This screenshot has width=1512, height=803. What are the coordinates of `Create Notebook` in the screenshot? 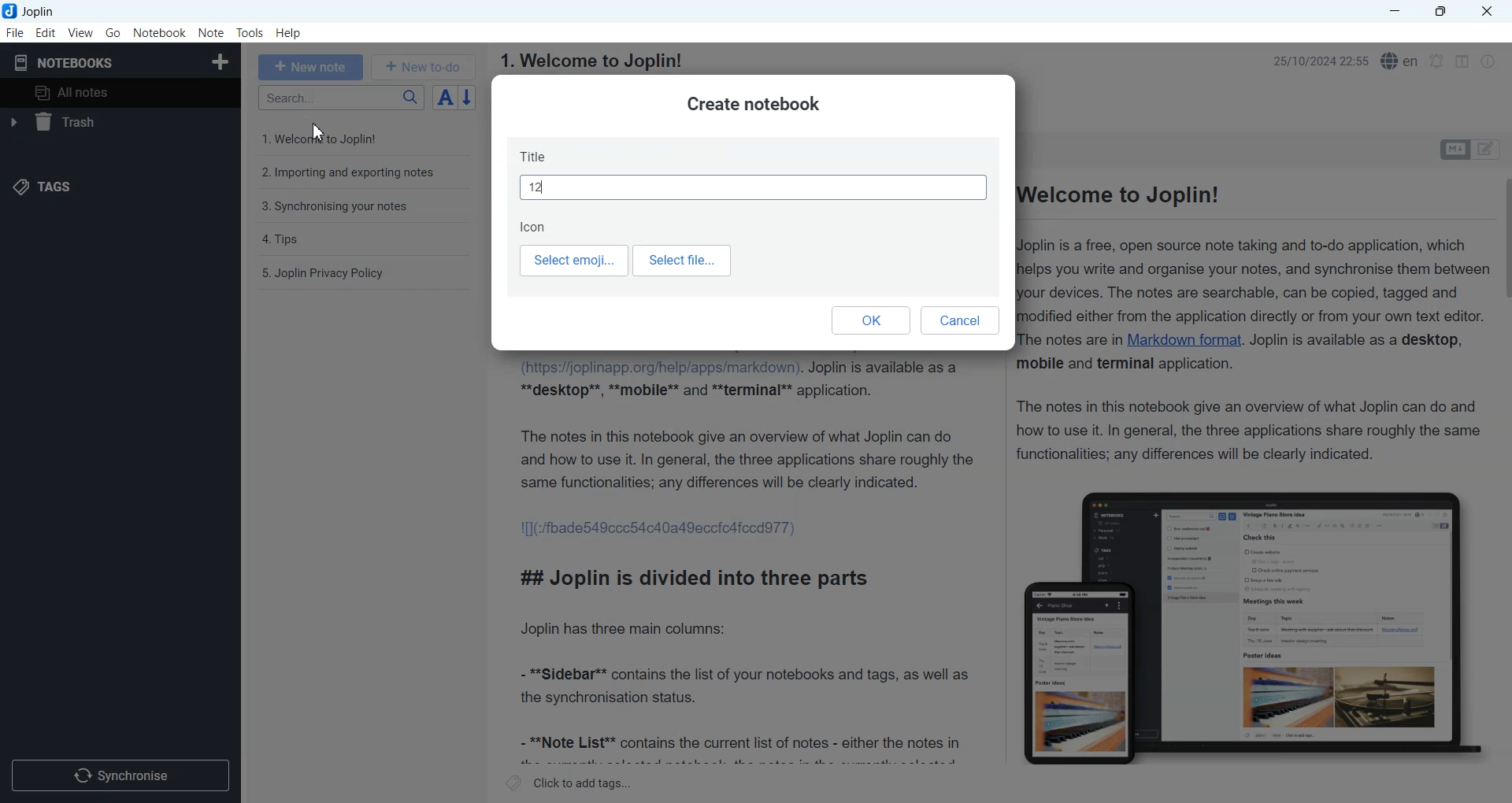 It's located at (221, 60).